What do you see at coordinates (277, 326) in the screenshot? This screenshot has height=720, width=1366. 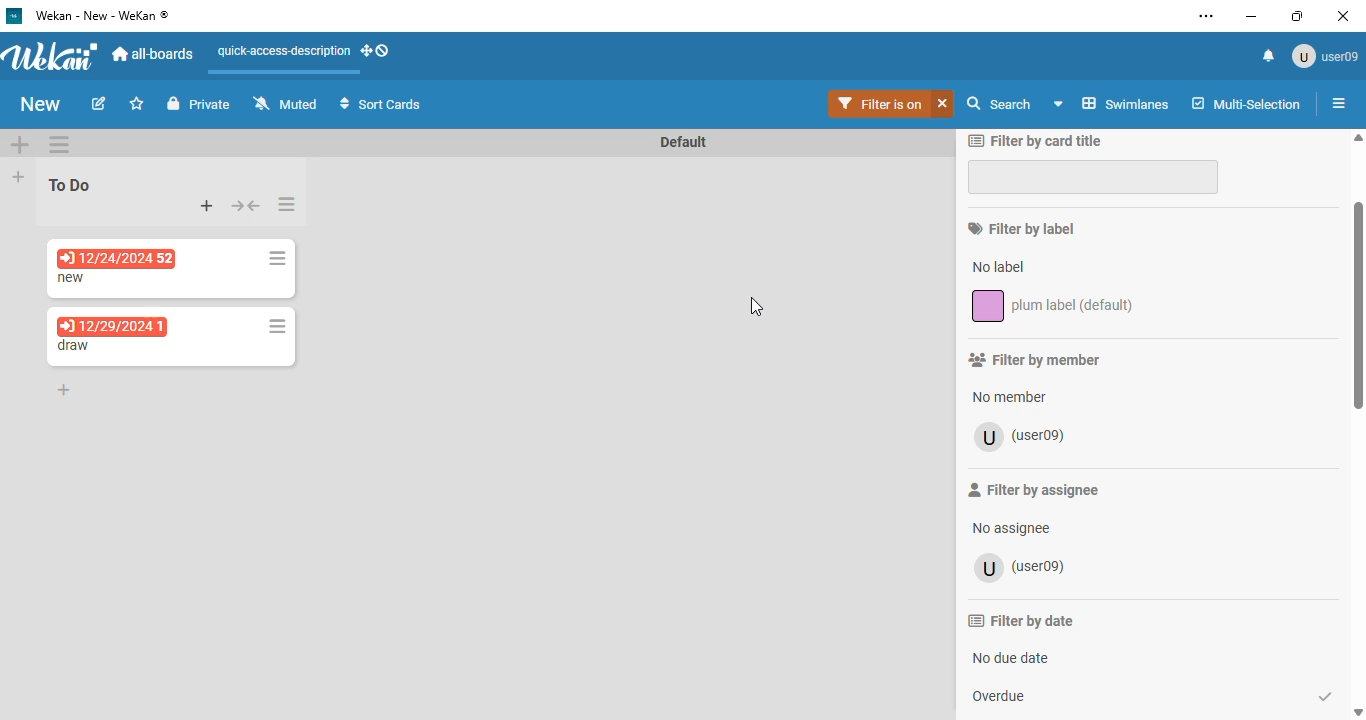 I see `card actions` at bounding box center [277, 326].